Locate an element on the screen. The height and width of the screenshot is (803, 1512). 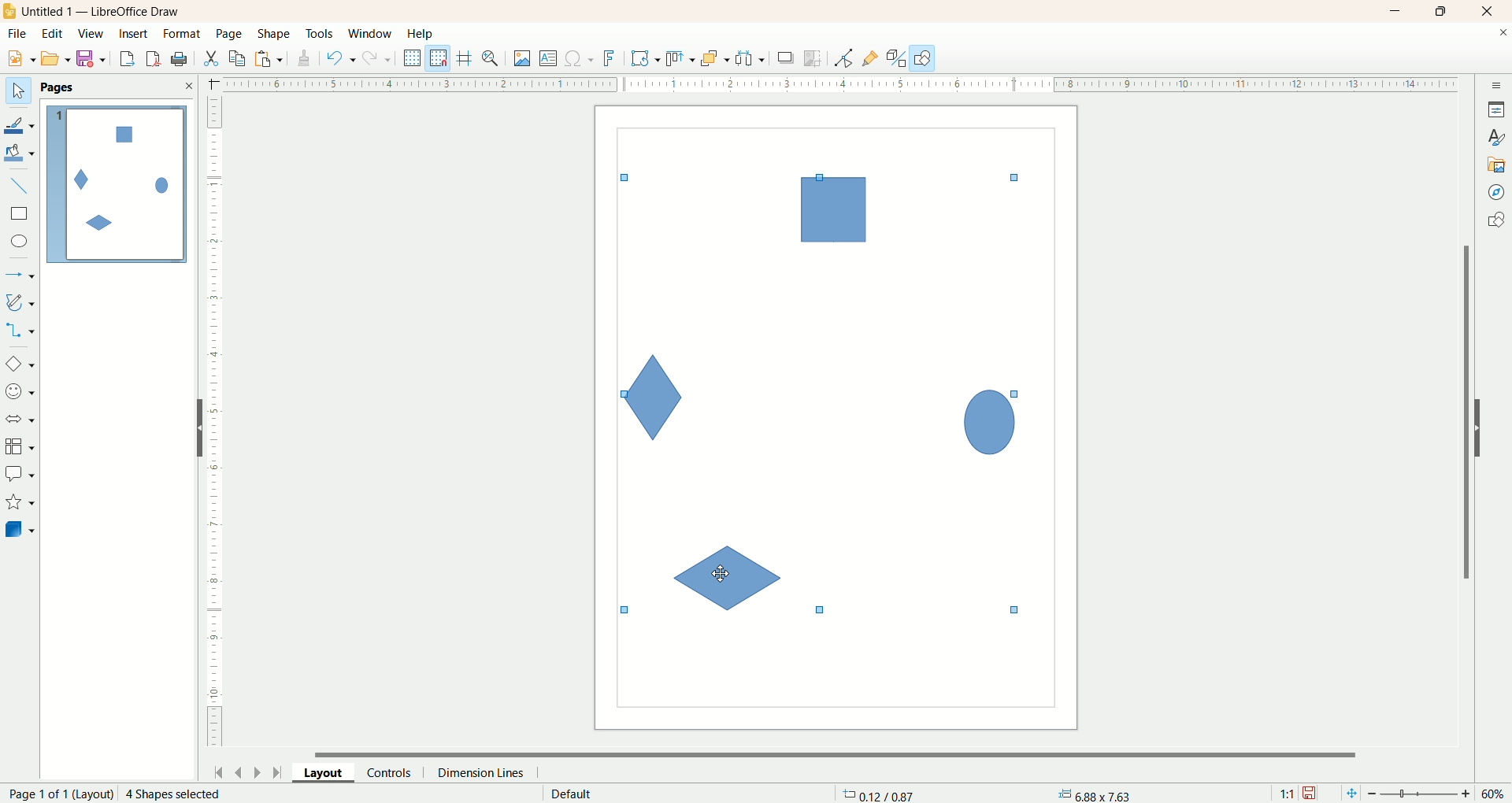
last page is located at coordinates (280, 771).